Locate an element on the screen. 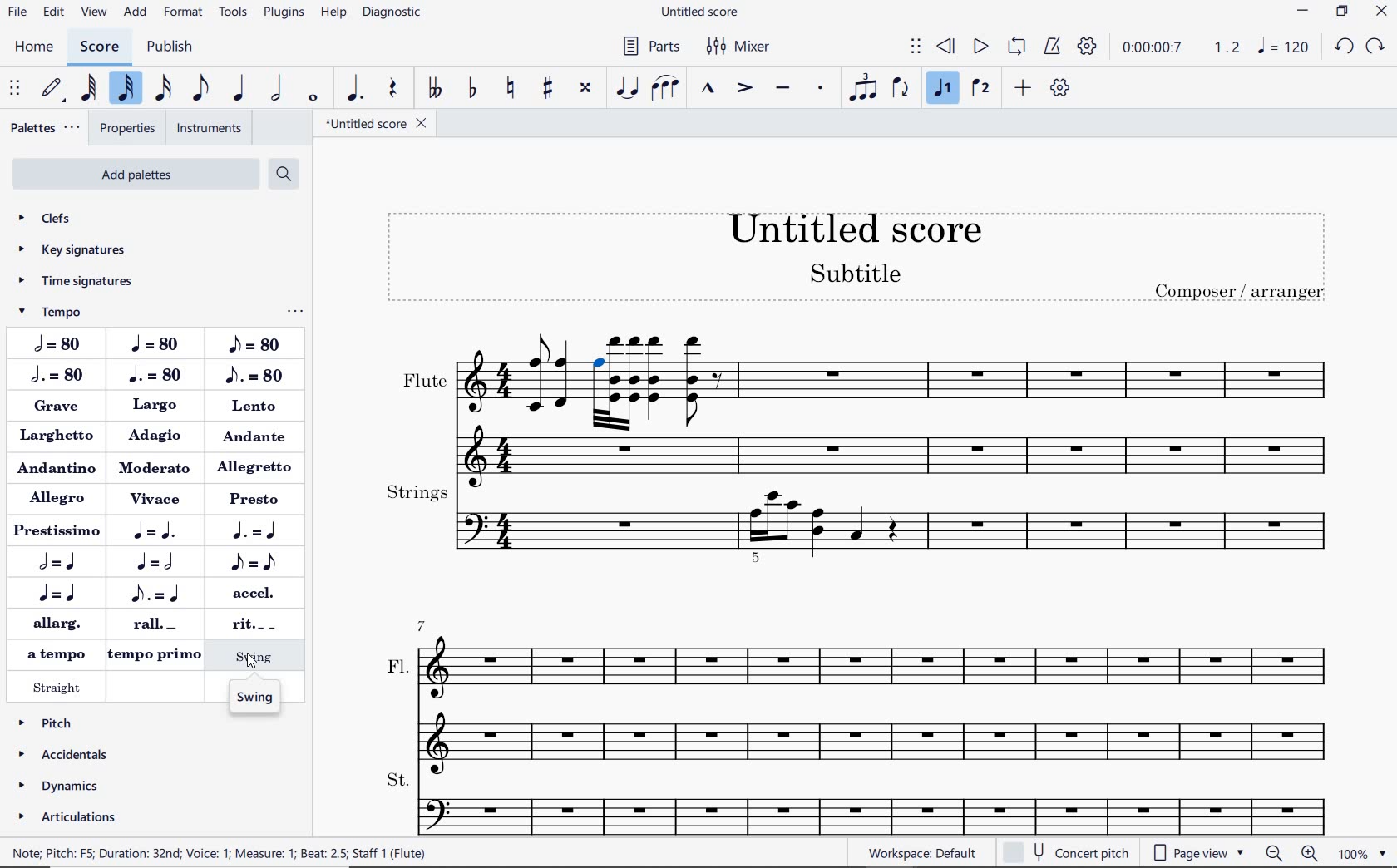 The height and width of the screenshot is (868, 1397). HAL NOTE is located at coordinates (55, 346).